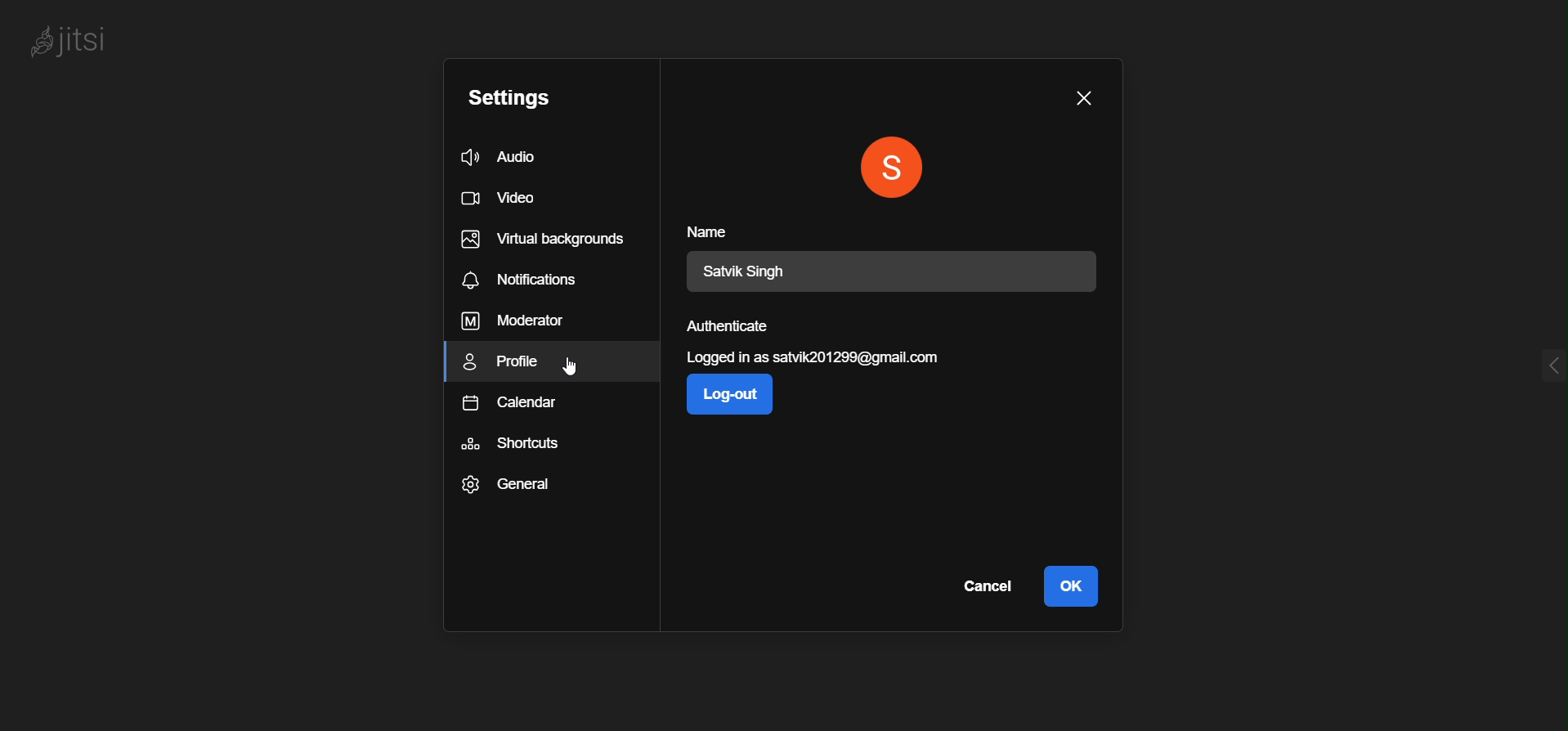 The width and height of the screenshot is (1568, 731). I want to click on authenticate, so click(732, 329).